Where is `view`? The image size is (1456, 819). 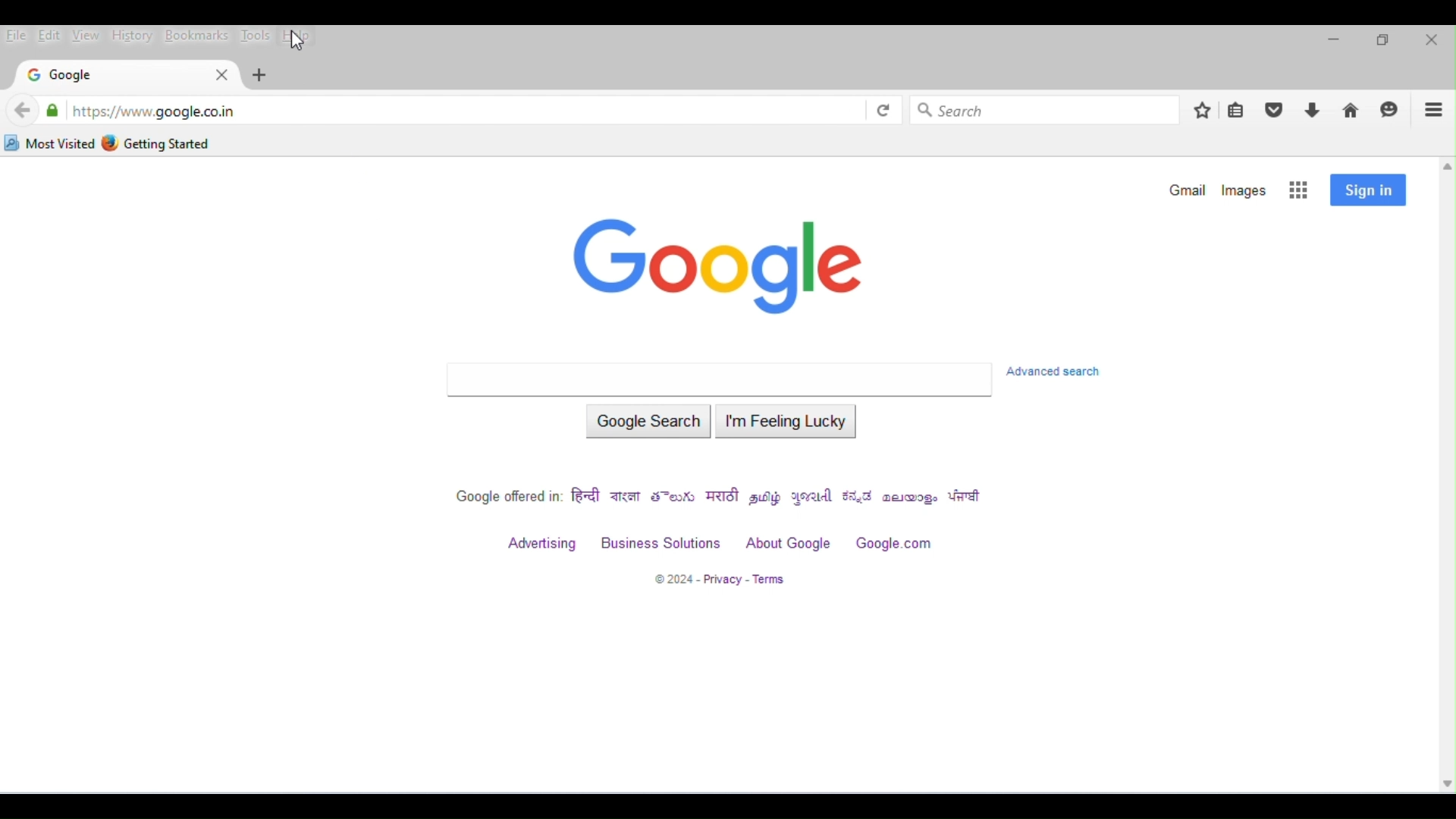
view is located at coordinates (85, 36).